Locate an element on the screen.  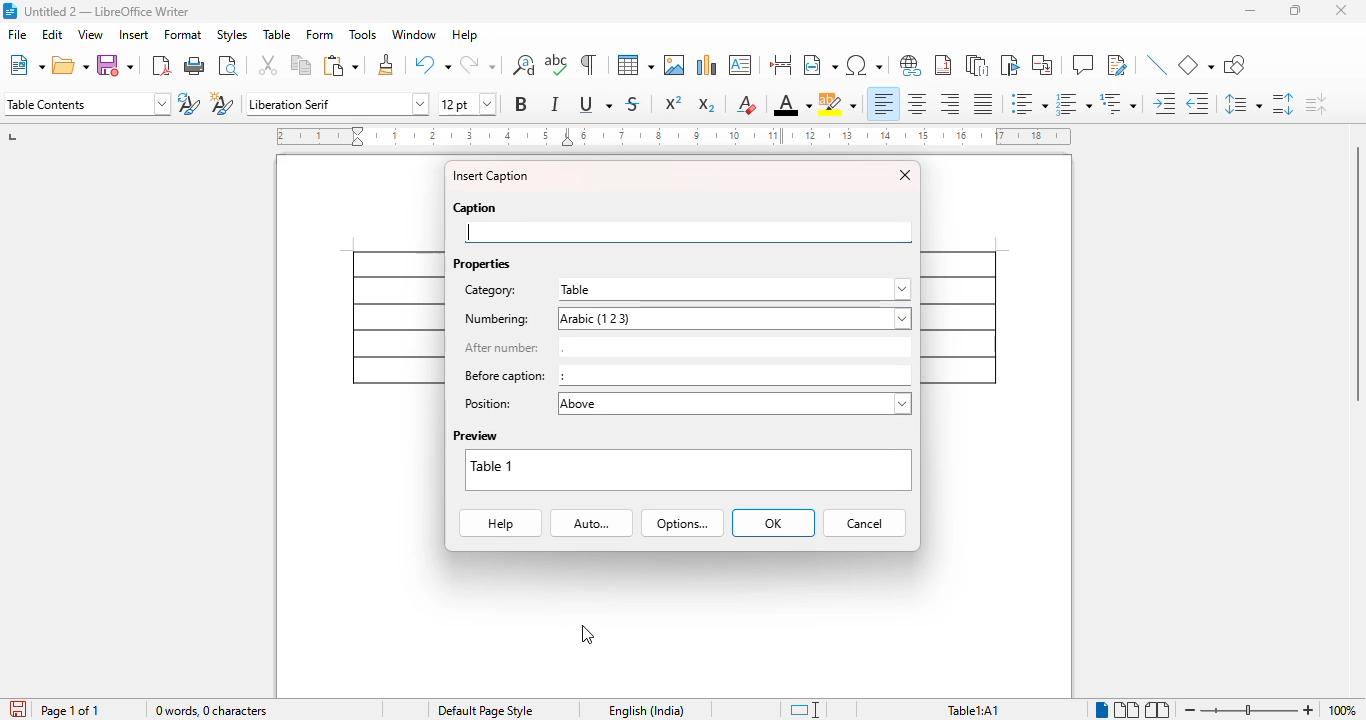
insert line is located at coordinates (1157, 64).